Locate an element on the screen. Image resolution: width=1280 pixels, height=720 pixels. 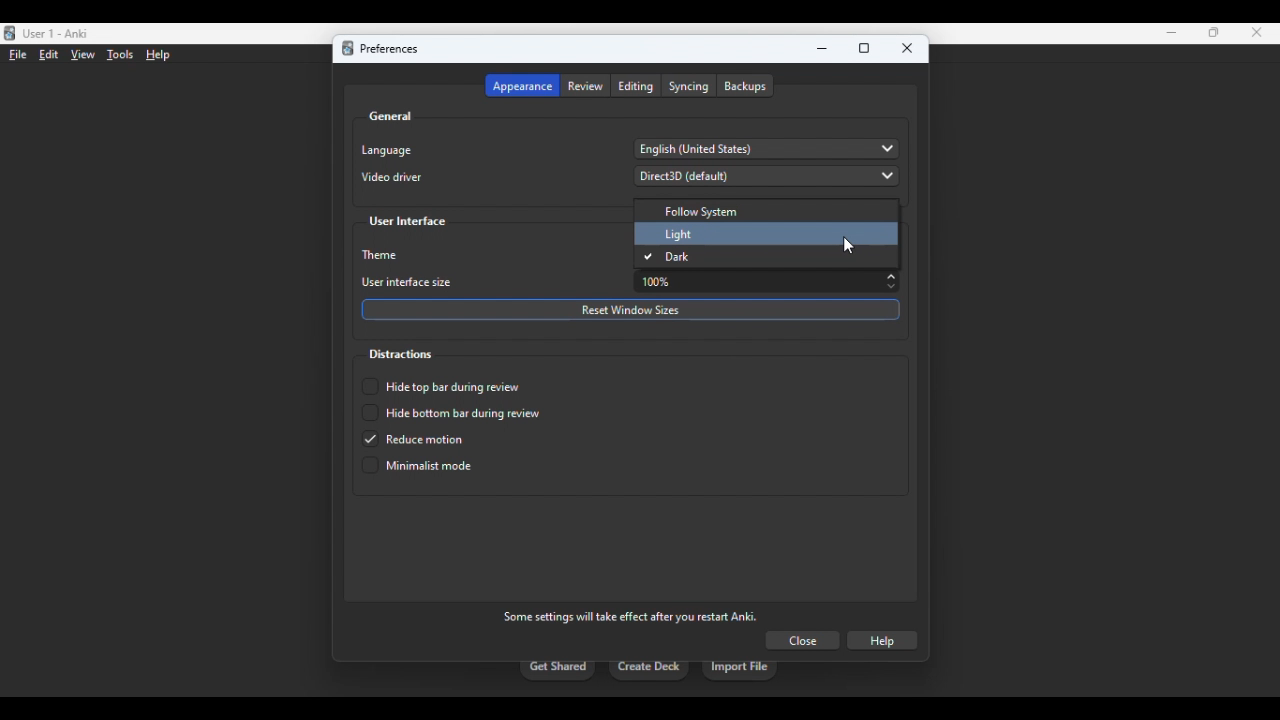
review is located at coordinates (586, 86).